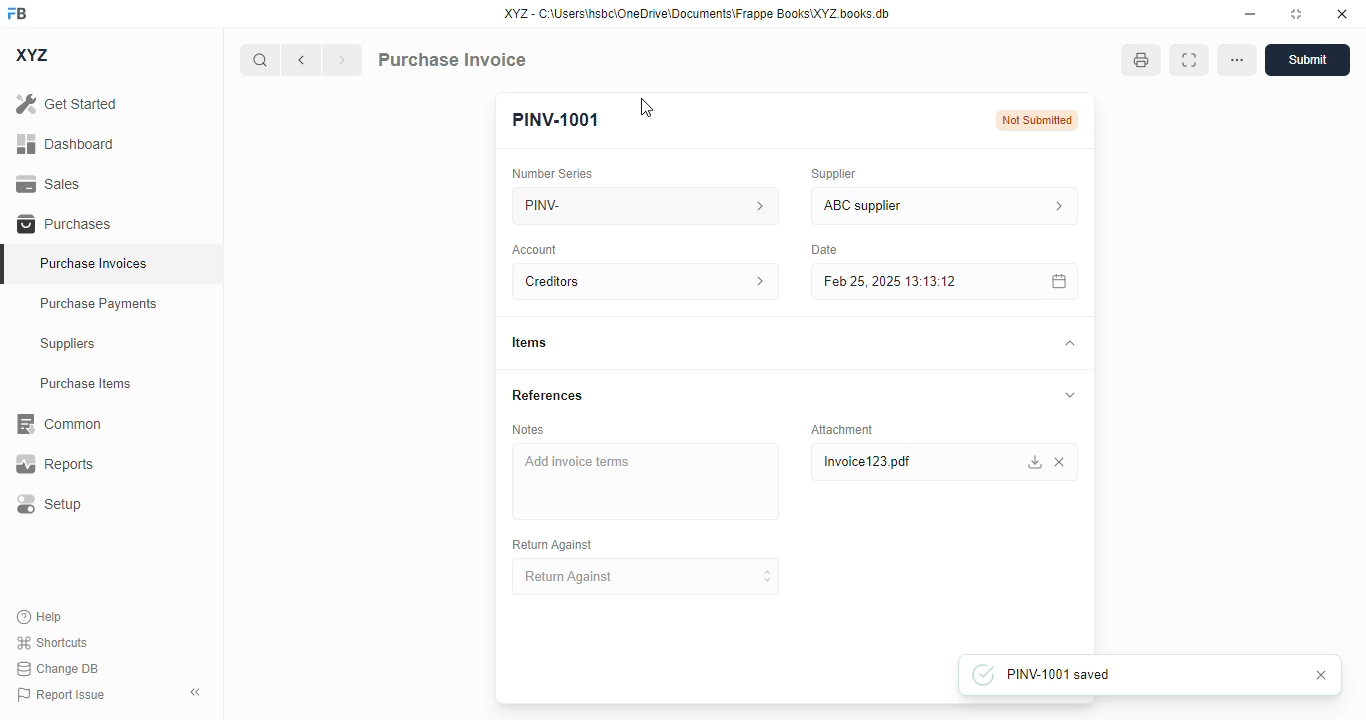  I want to click on reports, so click(55, 464).